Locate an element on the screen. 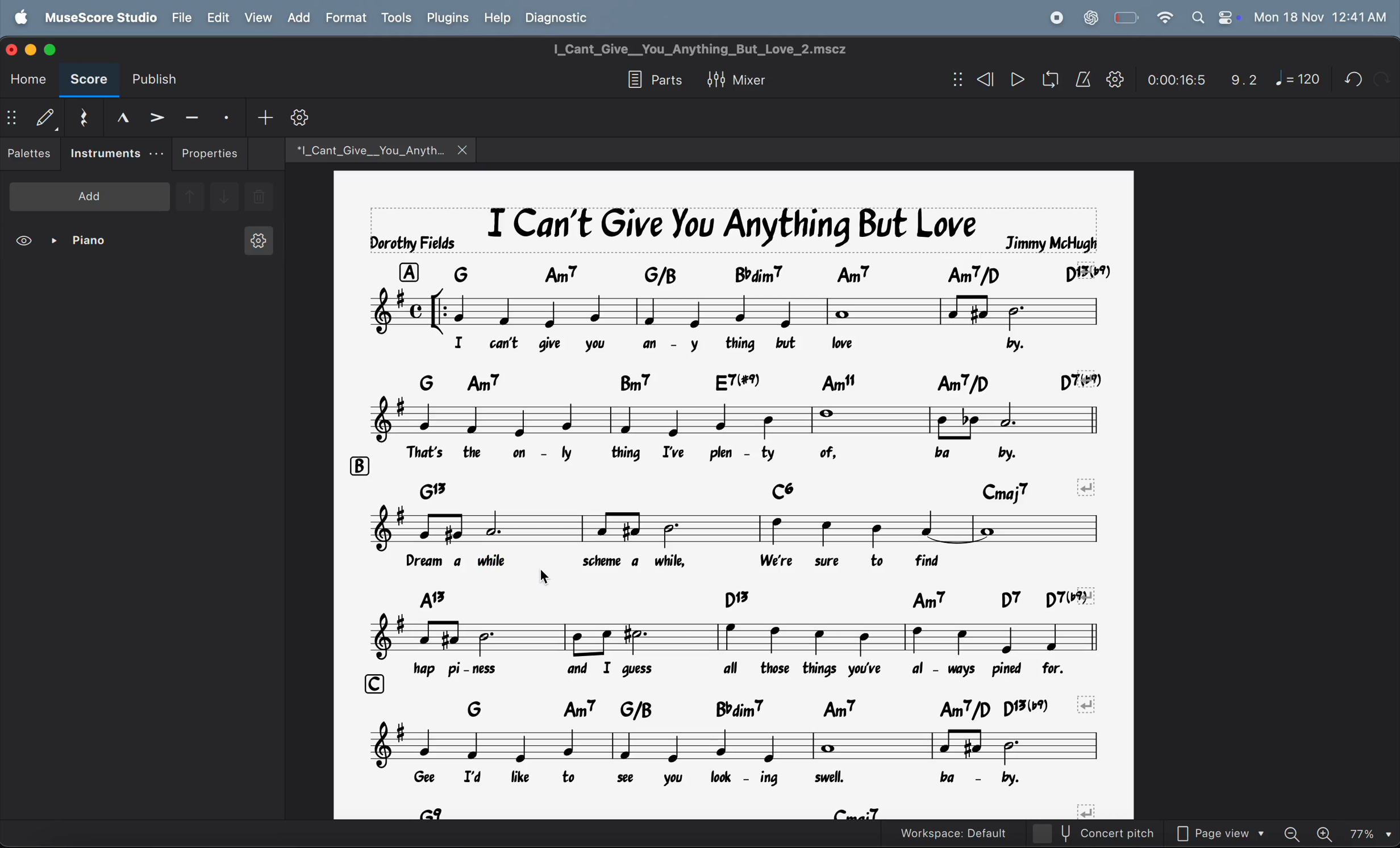  playback loop is located at coordinates (1048, 80).